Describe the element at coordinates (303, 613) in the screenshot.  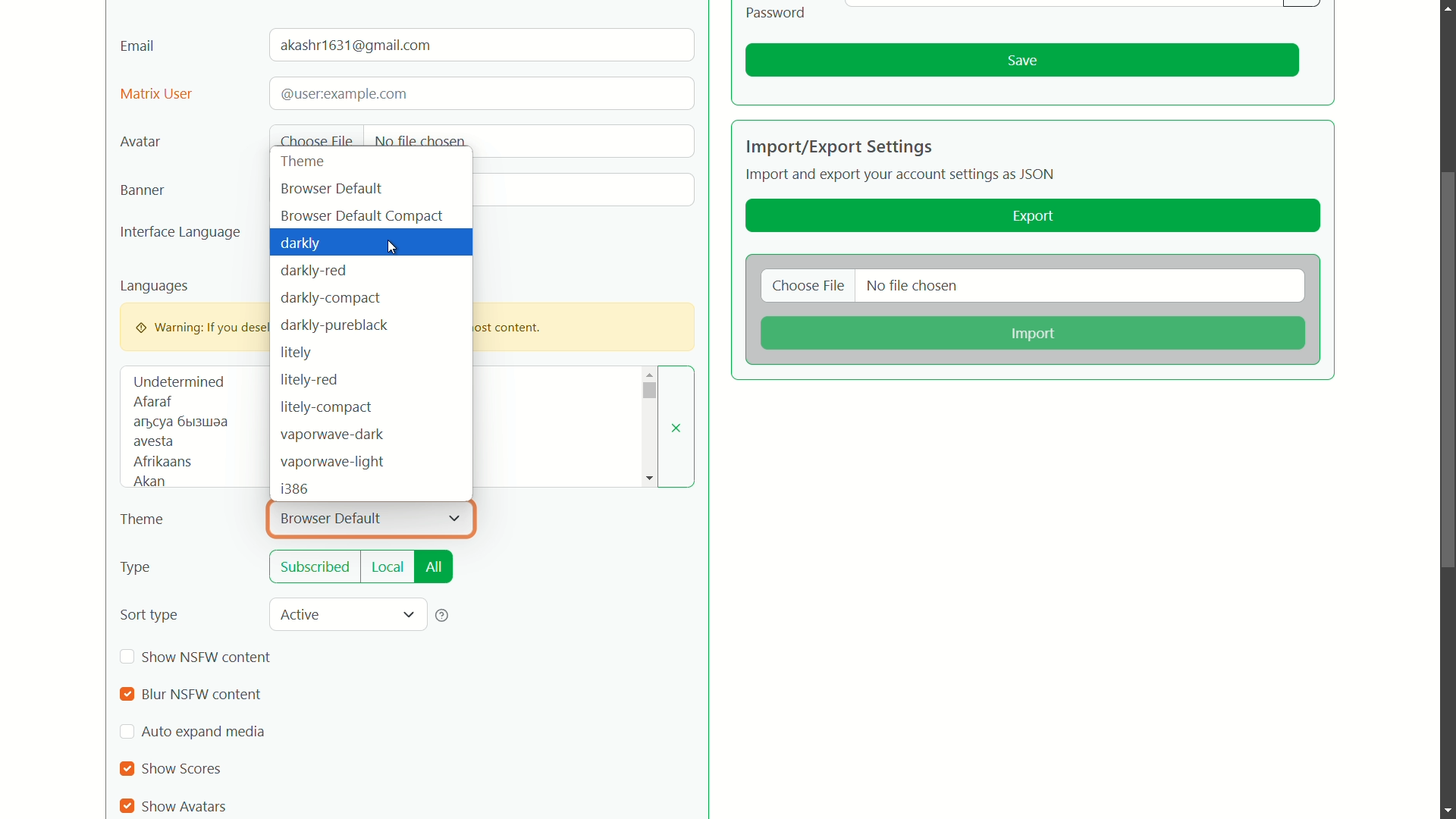
I see `active` at that location.